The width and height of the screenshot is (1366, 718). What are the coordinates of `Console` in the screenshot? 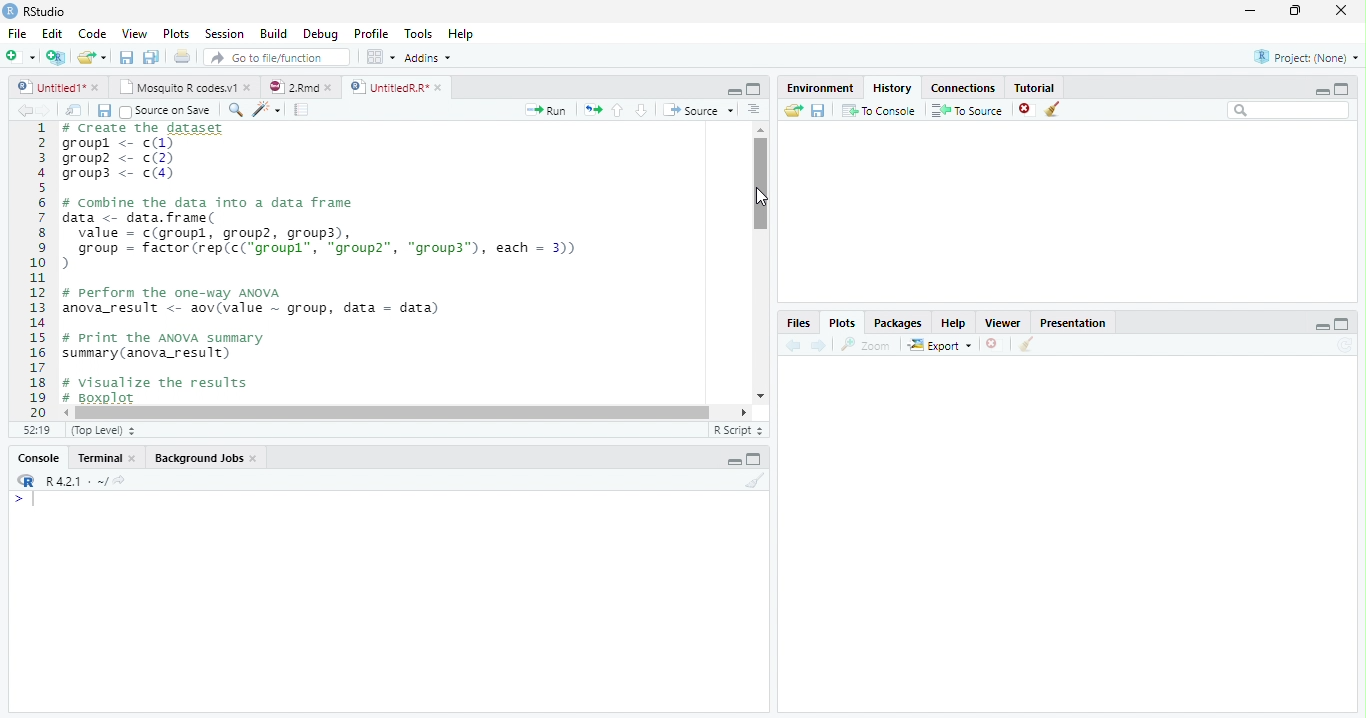 It's located at (38, 460).